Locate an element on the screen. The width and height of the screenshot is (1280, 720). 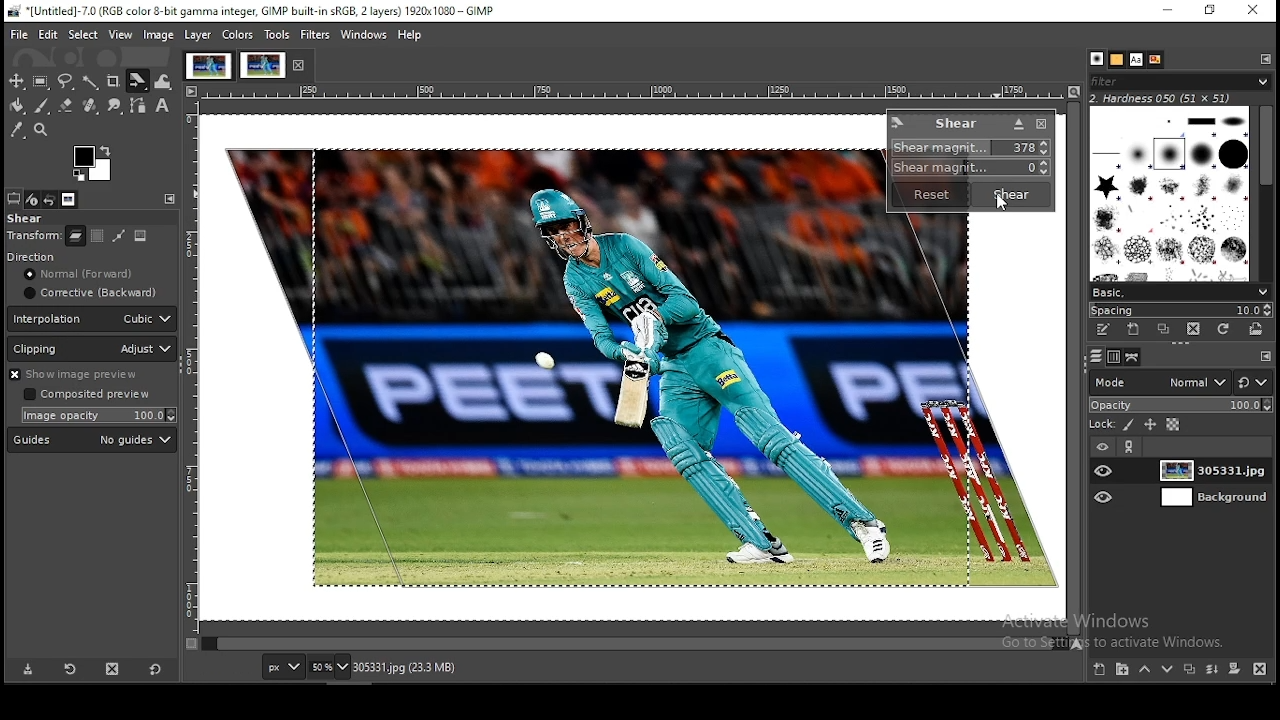
view is located at coordinates (120, 35).